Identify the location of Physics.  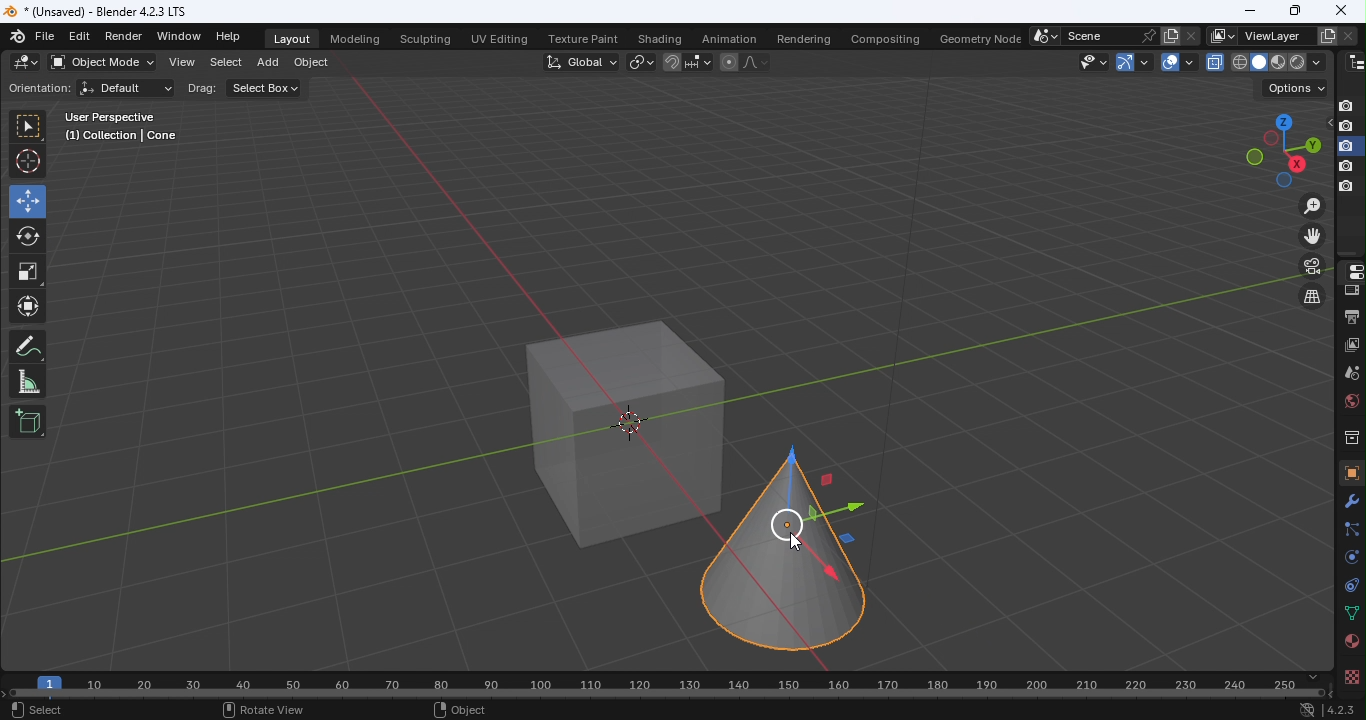
(1349, 556).